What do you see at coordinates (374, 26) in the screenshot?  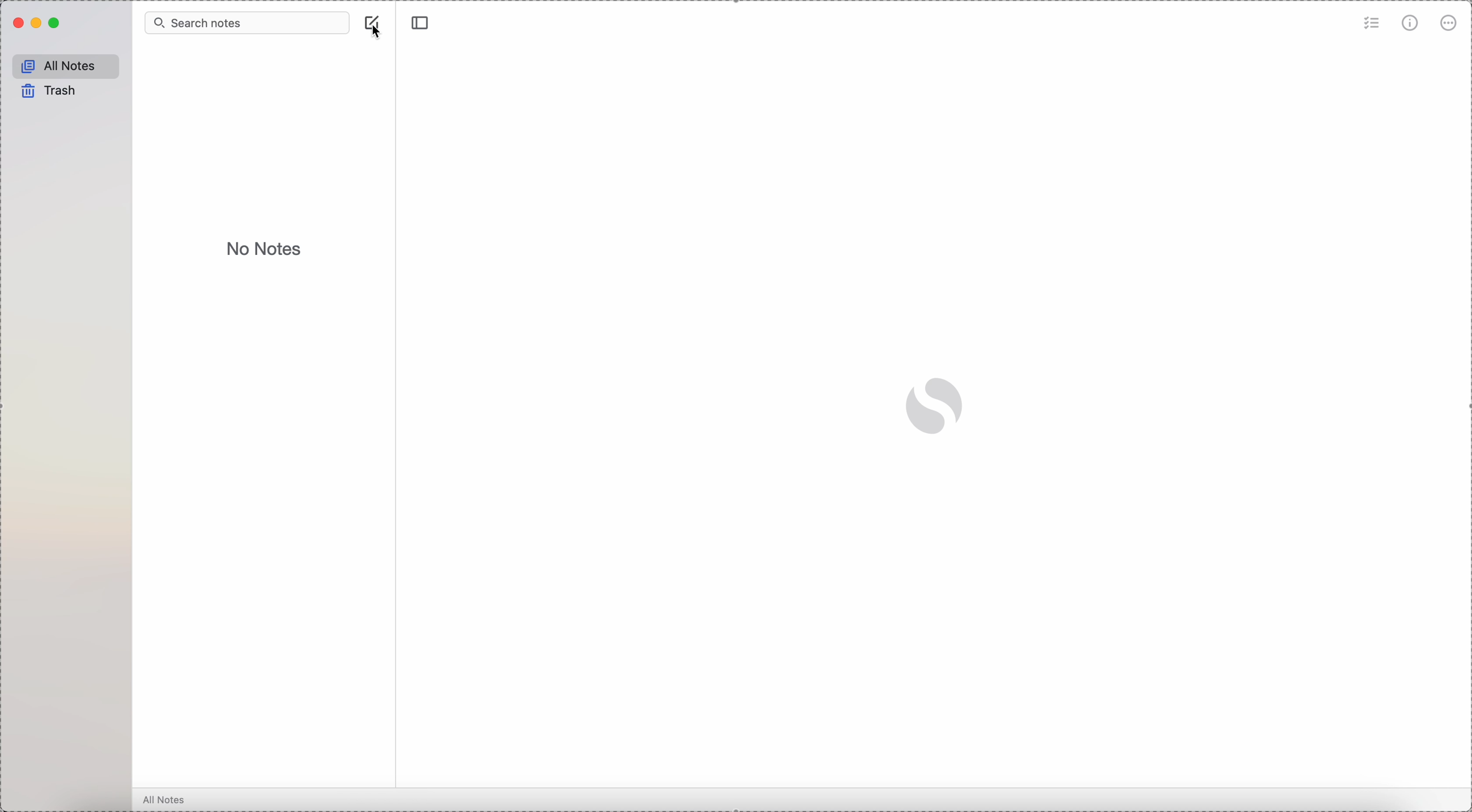 I see `create note` at bounding box center [374, 26].